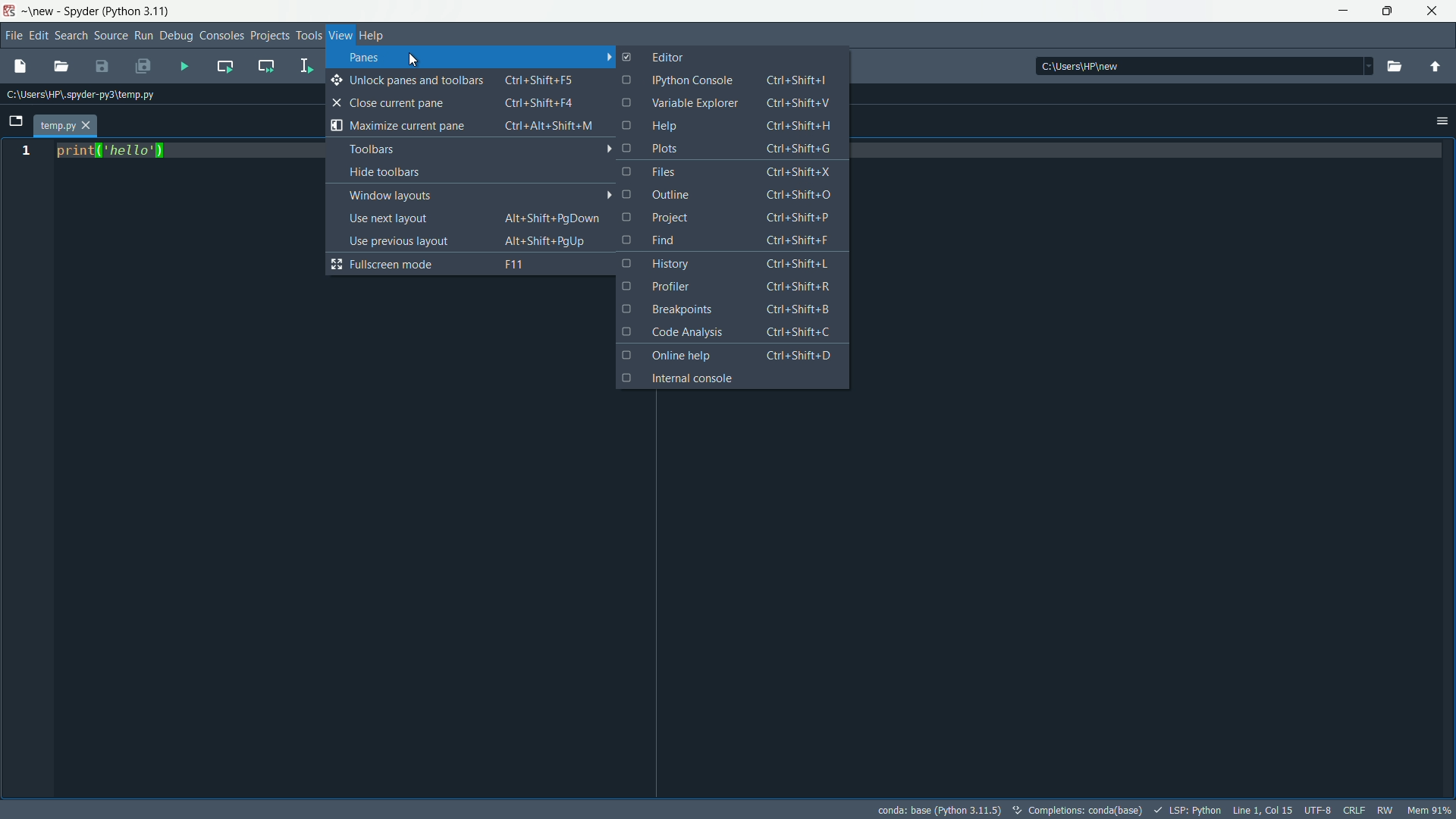 Image resolution: width=1456 pixels, height=819 pixels. What do you see at coordinates (477, 240) in the screenshot?
I see `use previous layout` at bounding box center [477, 240].